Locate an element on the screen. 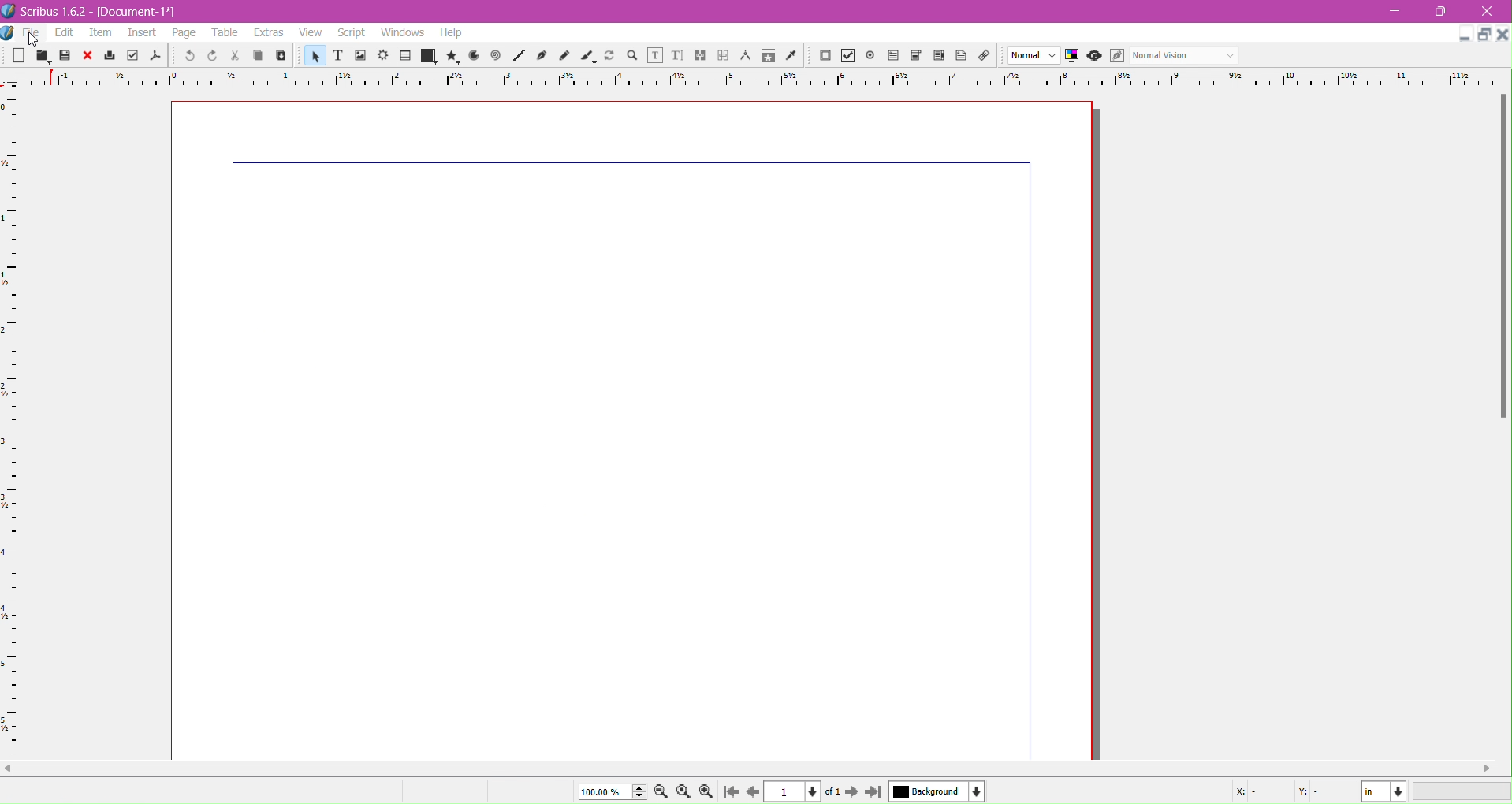 Image resolution: width=1512 pixels, height=804 pixels. preflight highlighter is located at coordinates (132, 56).